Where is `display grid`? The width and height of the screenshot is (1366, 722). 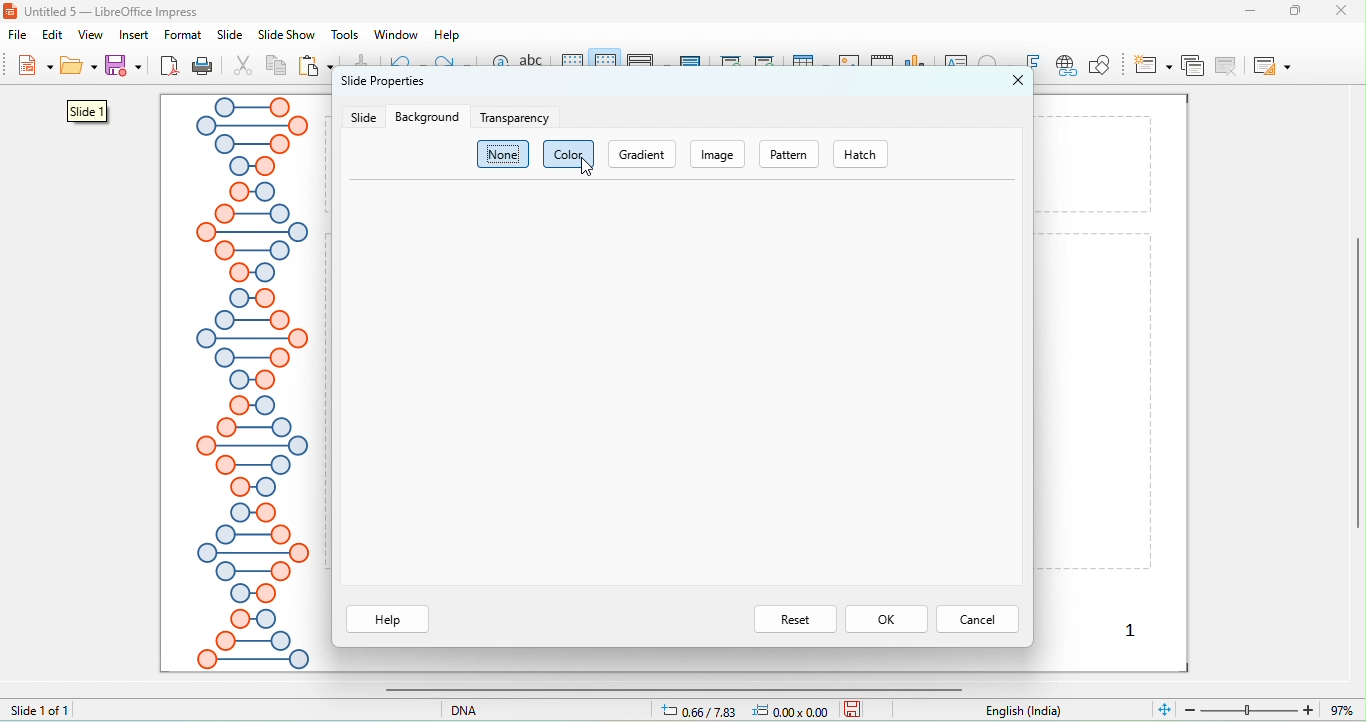 display grid is located at coordinates (573, 64).